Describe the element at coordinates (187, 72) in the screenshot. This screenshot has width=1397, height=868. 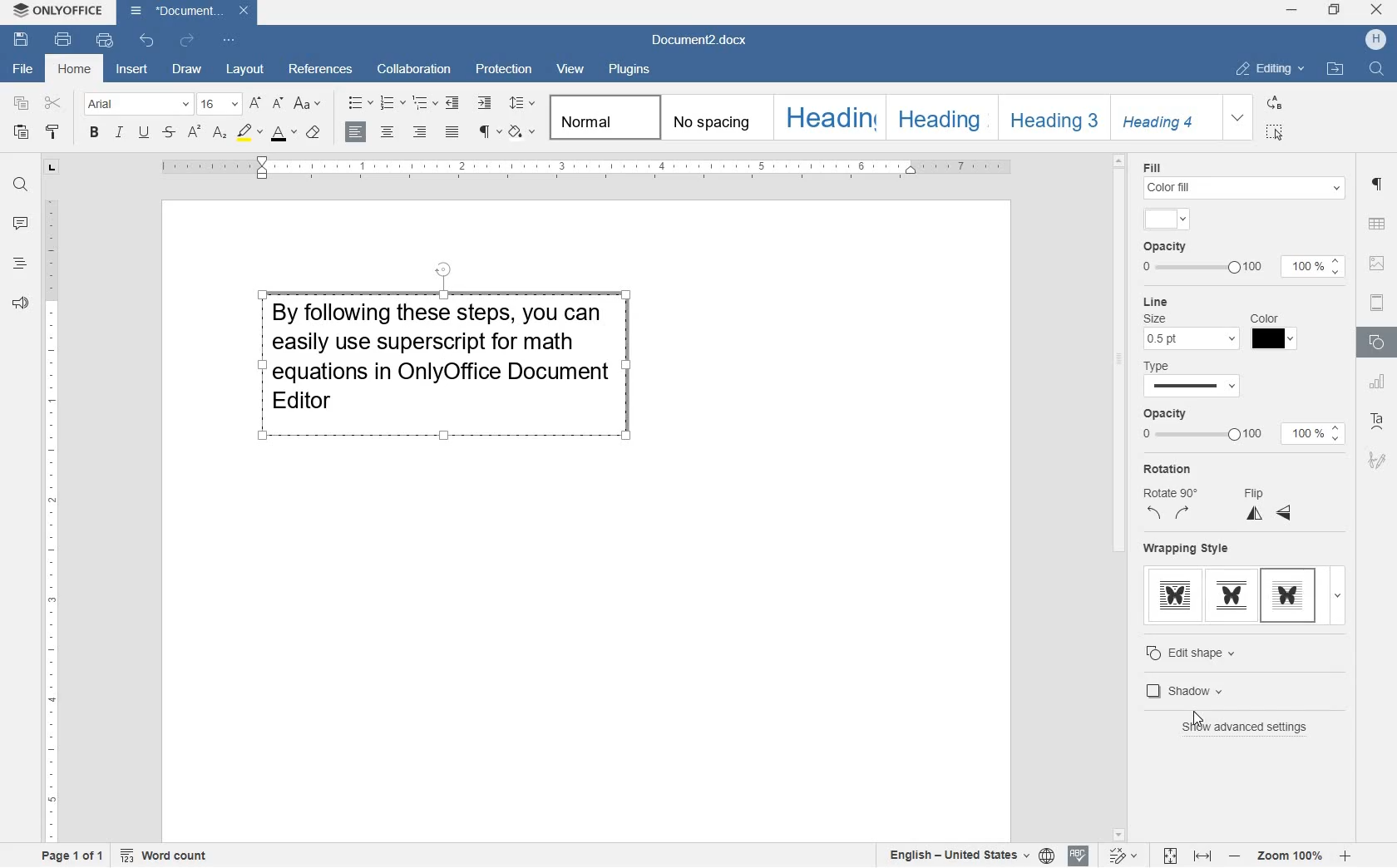
I see `draw` at that location.